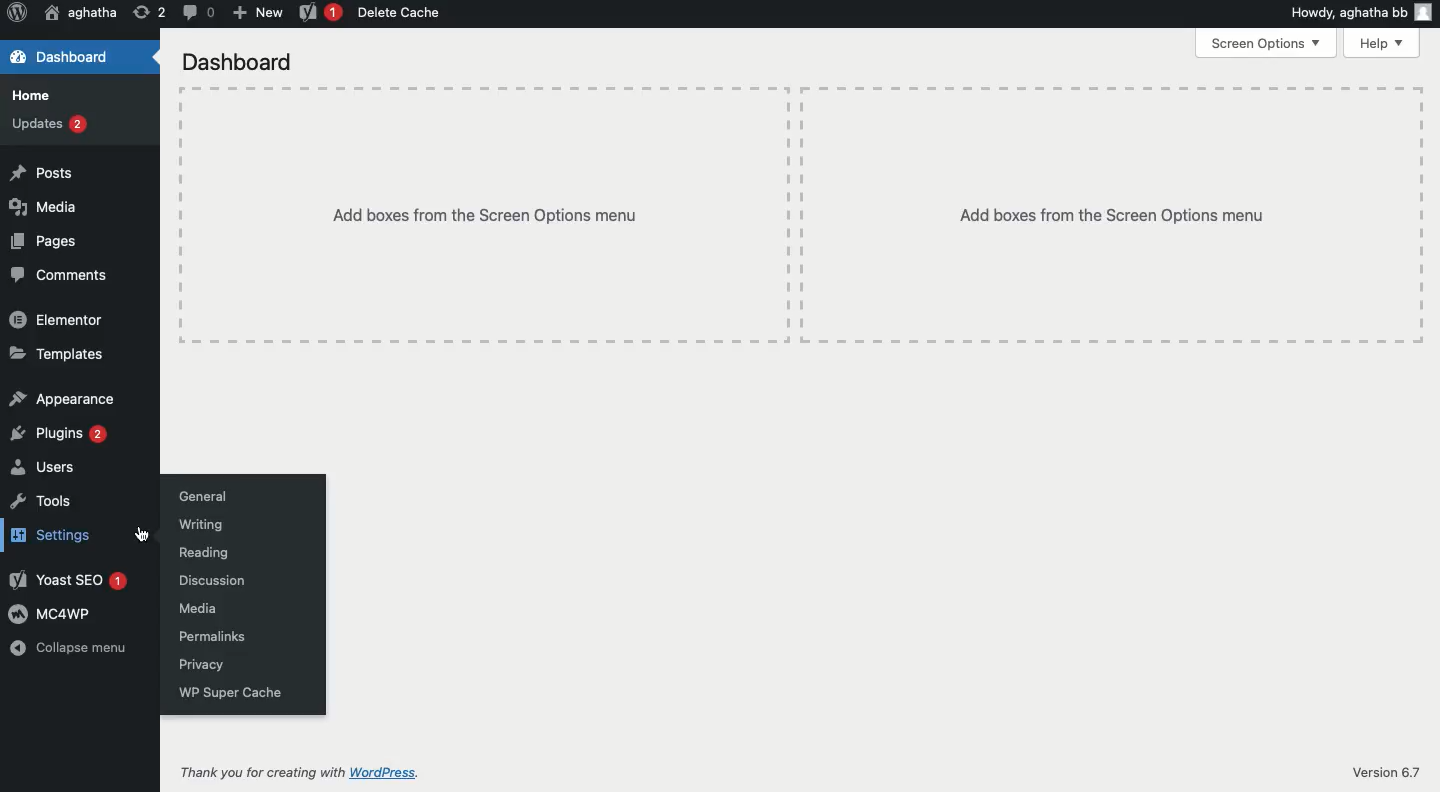 The height and width of the screenshot is (792, 1440). What do you see at coordinates (50, 124) in the screenshot?
I see `Updates` at bounding box center [50, 124].